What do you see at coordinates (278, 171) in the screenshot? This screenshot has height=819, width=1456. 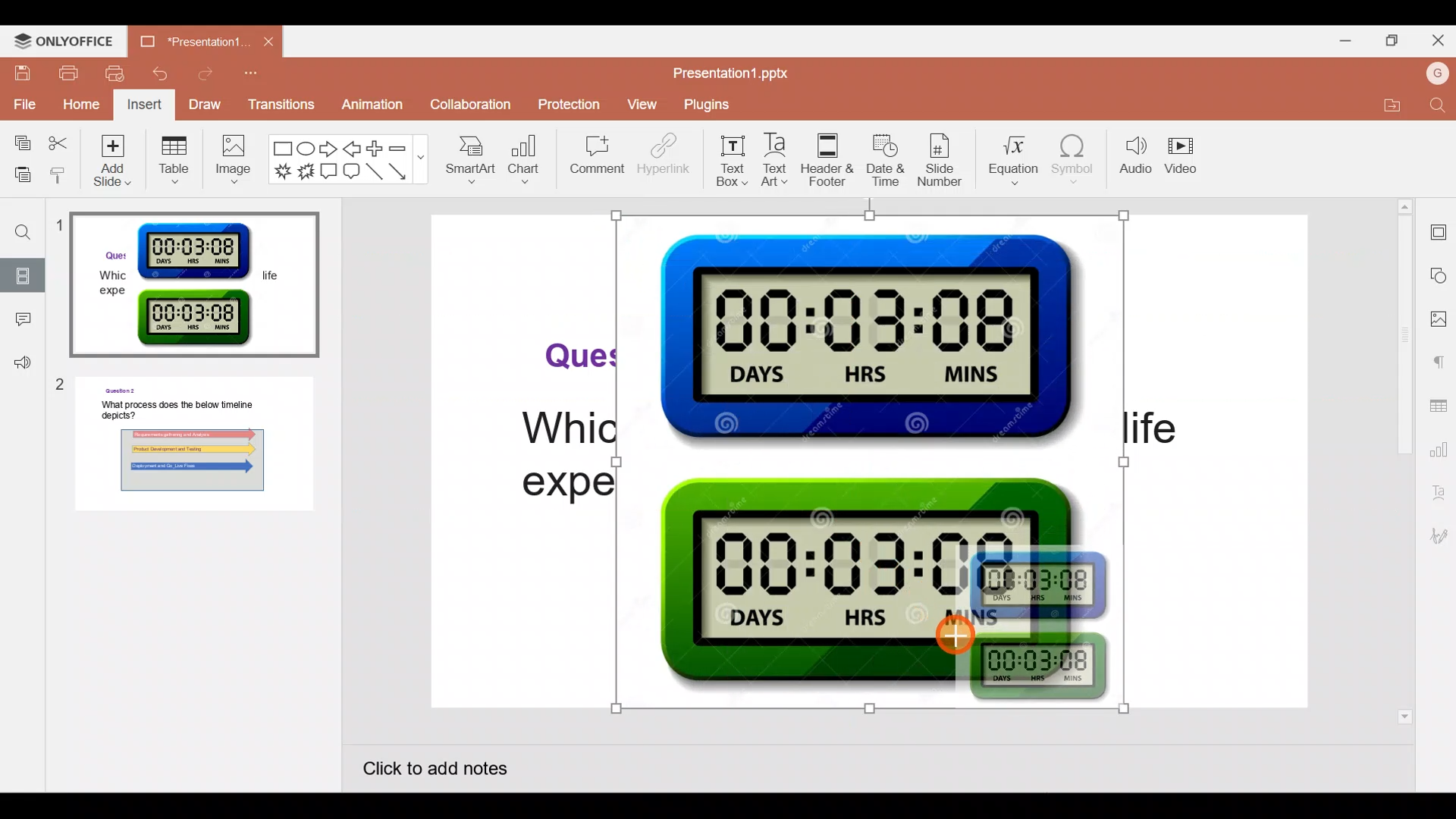 I see `Explosion 1` at bounding box center [278, 171].